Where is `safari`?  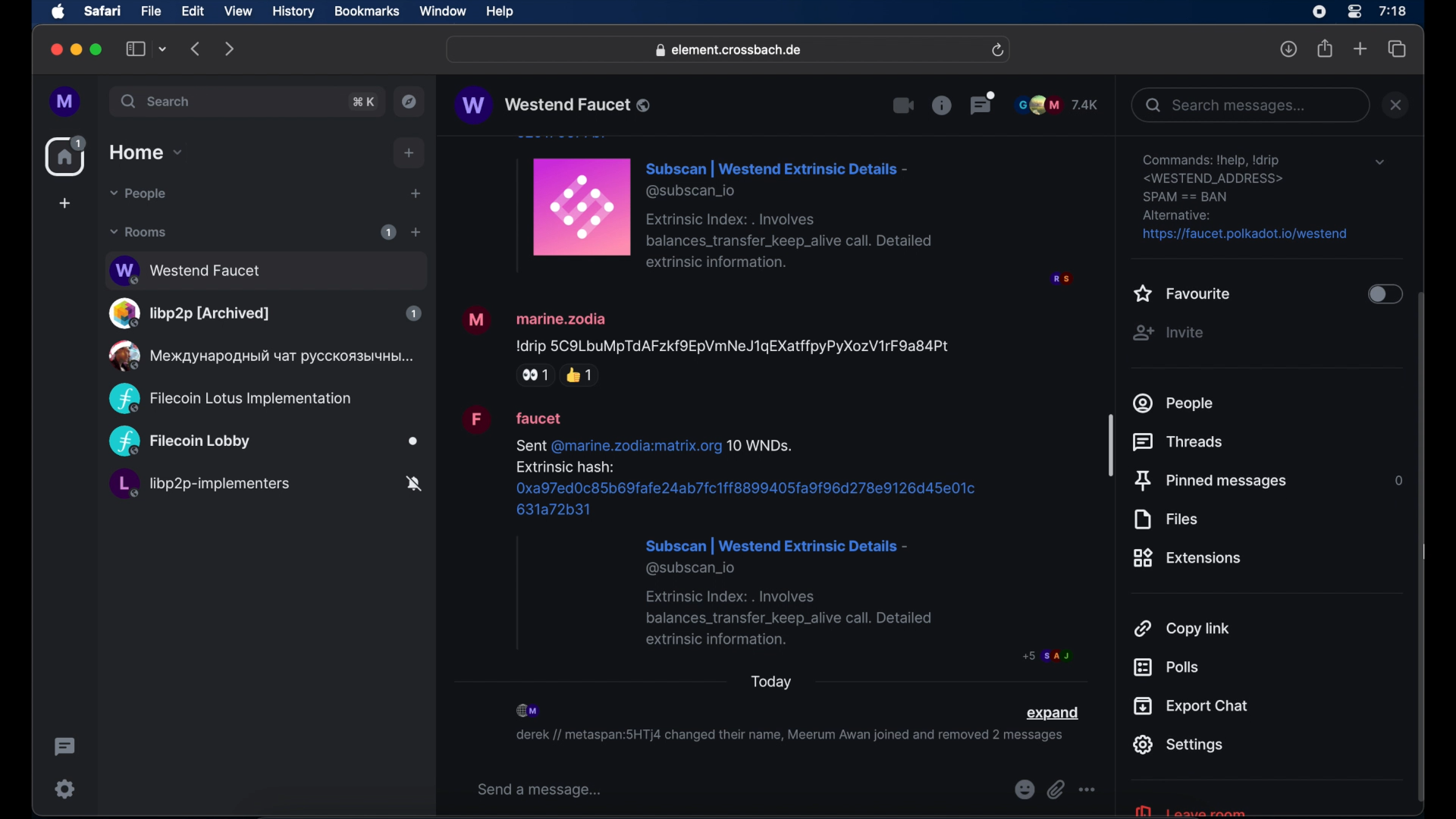
safari is located at coordinates (102, 11).